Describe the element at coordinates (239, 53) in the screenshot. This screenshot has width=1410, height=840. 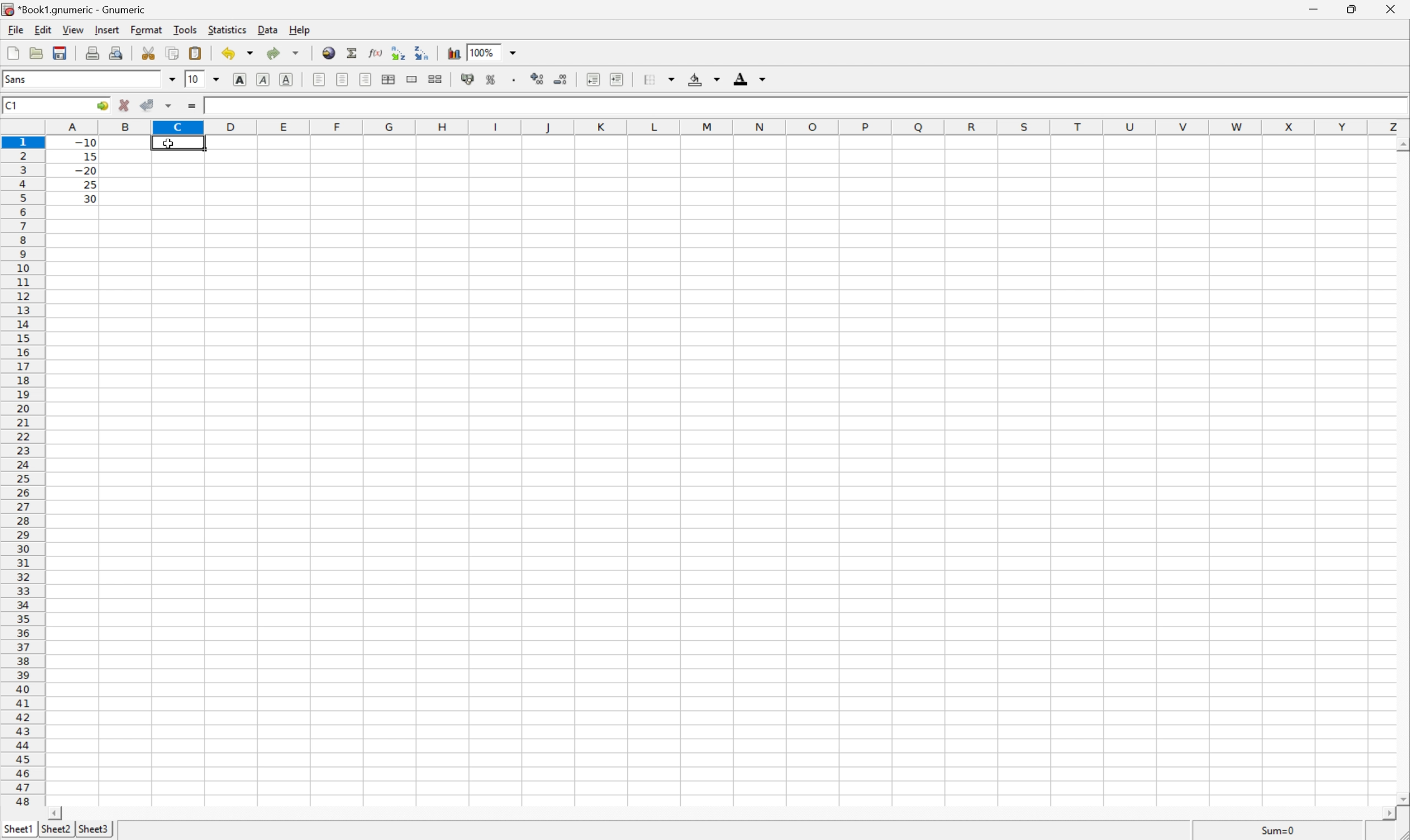
I see `Undo` at that location.